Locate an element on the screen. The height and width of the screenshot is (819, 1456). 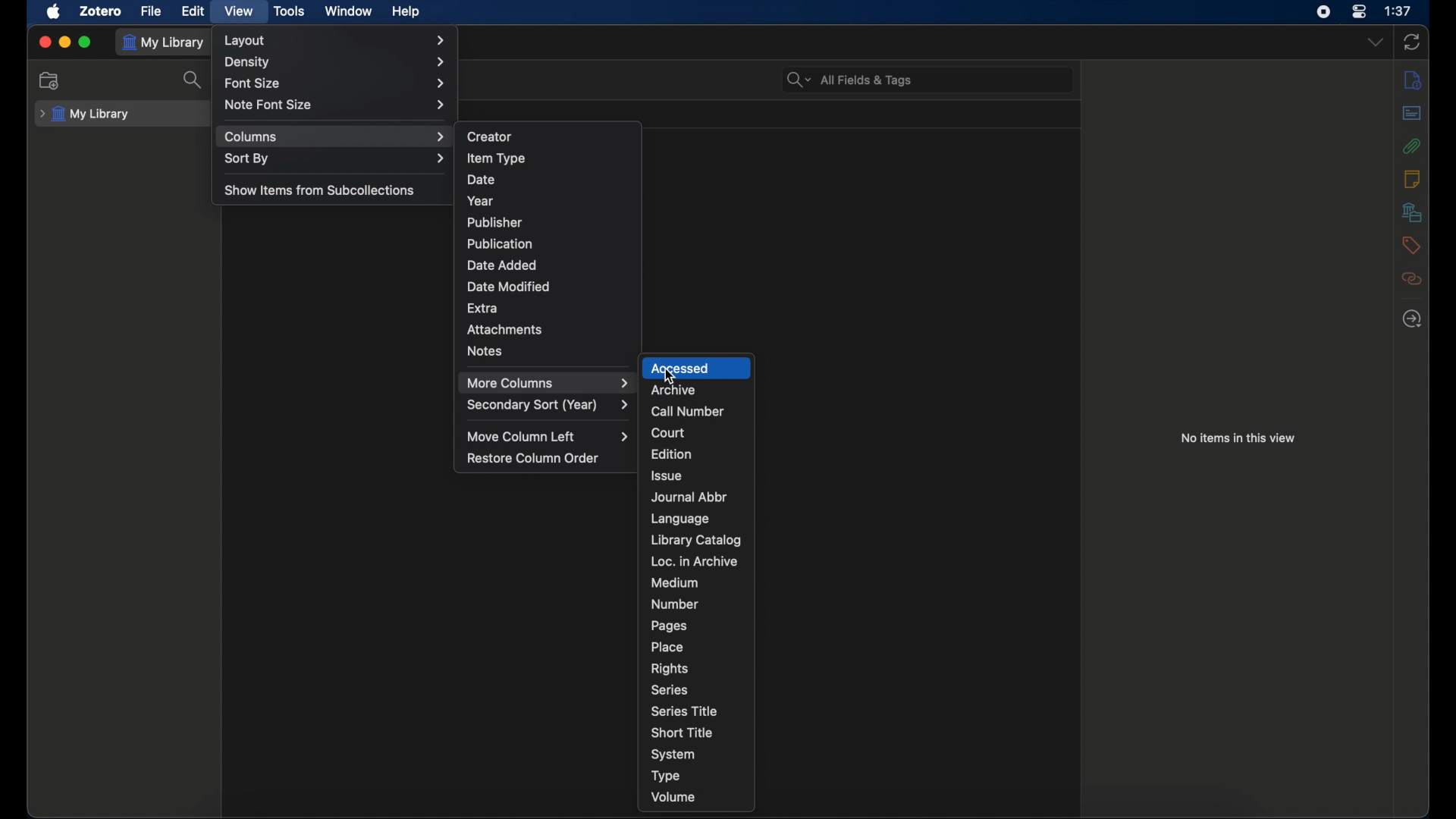
publisher is located at coordinates (496, 222).